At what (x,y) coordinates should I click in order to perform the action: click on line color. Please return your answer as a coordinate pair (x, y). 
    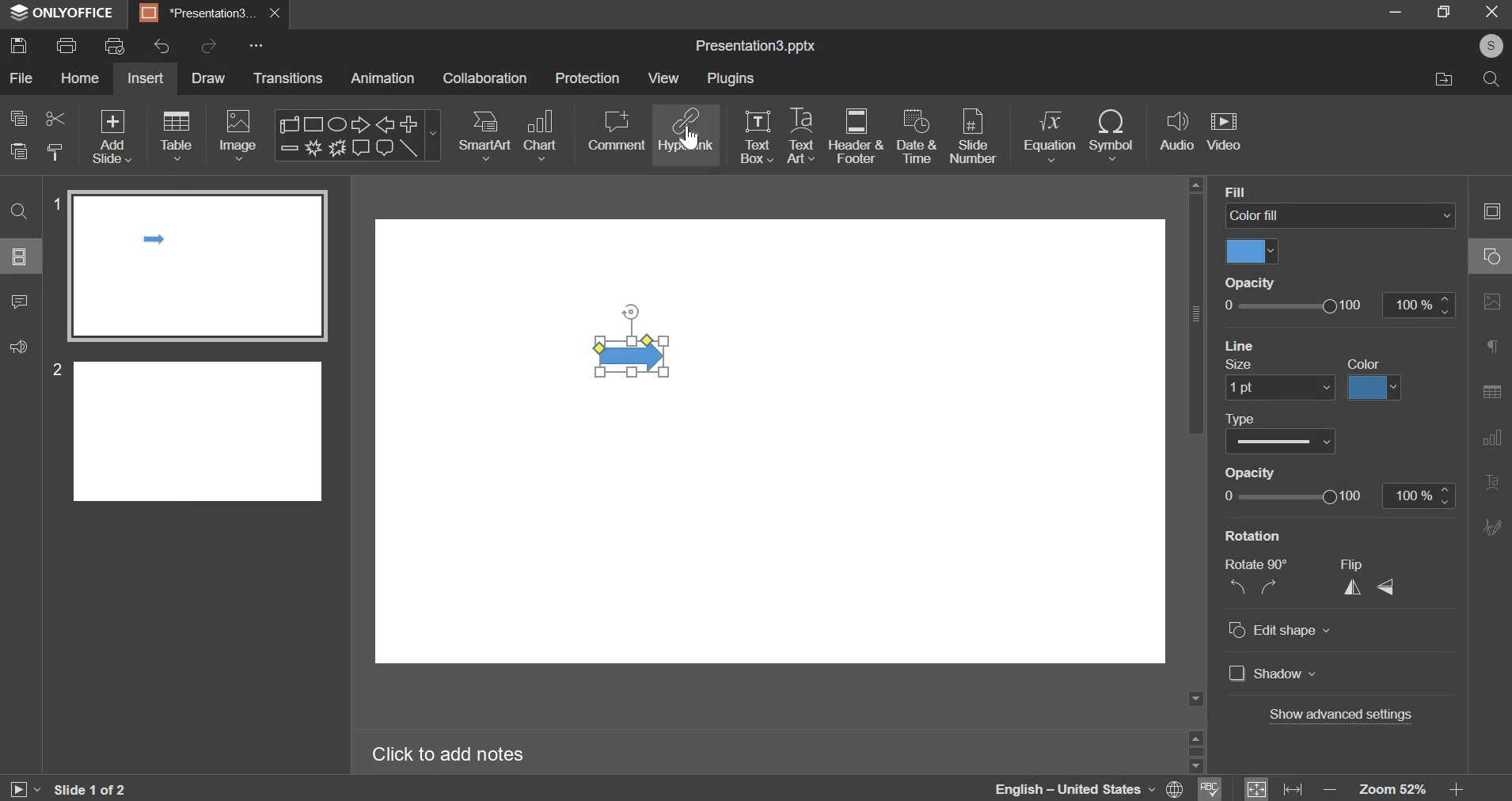
    Looking at the image, I should click on (1374, 389).